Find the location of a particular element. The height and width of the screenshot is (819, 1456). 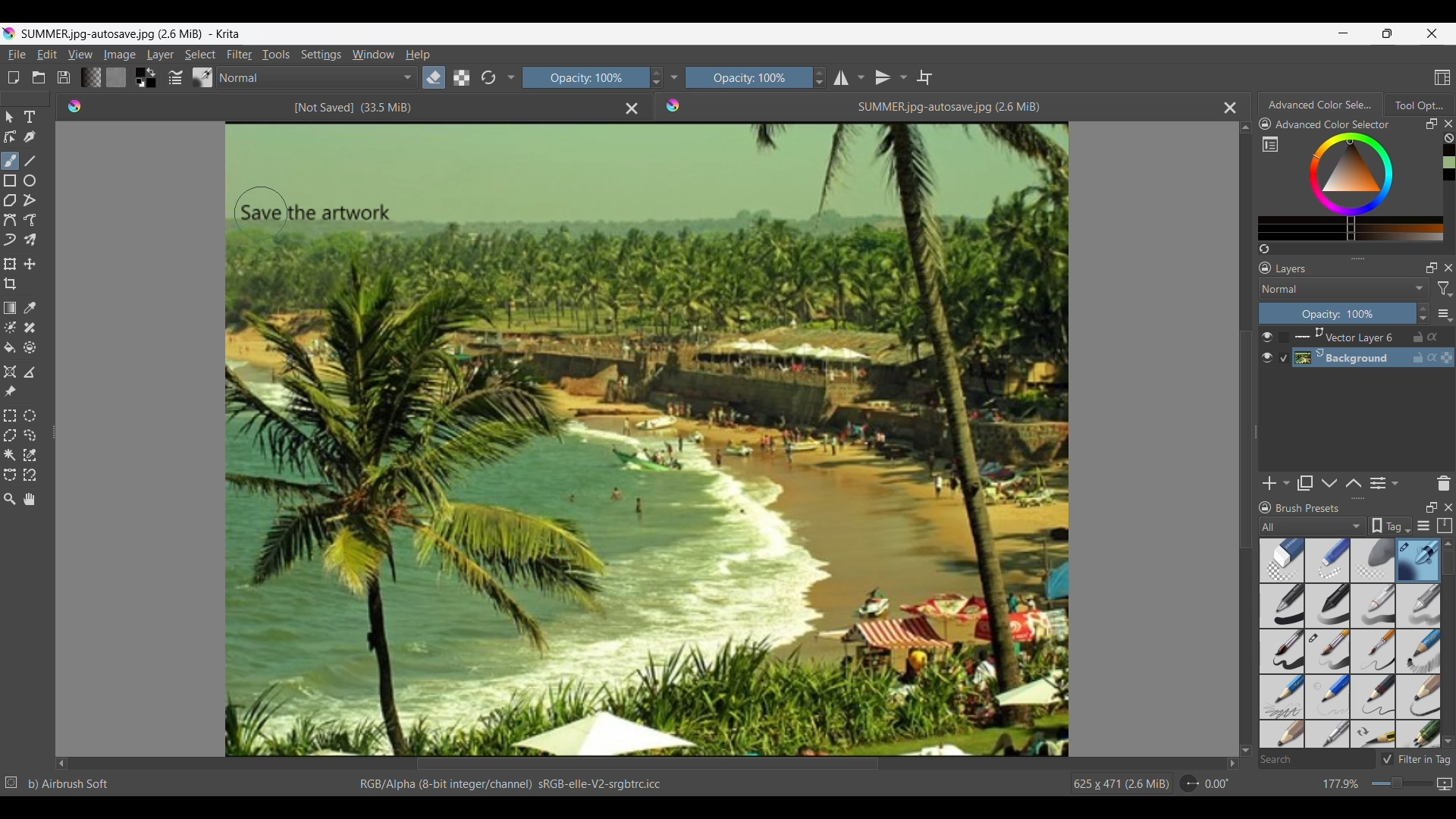

Close layers panel is located at coordinates (1446, 268).